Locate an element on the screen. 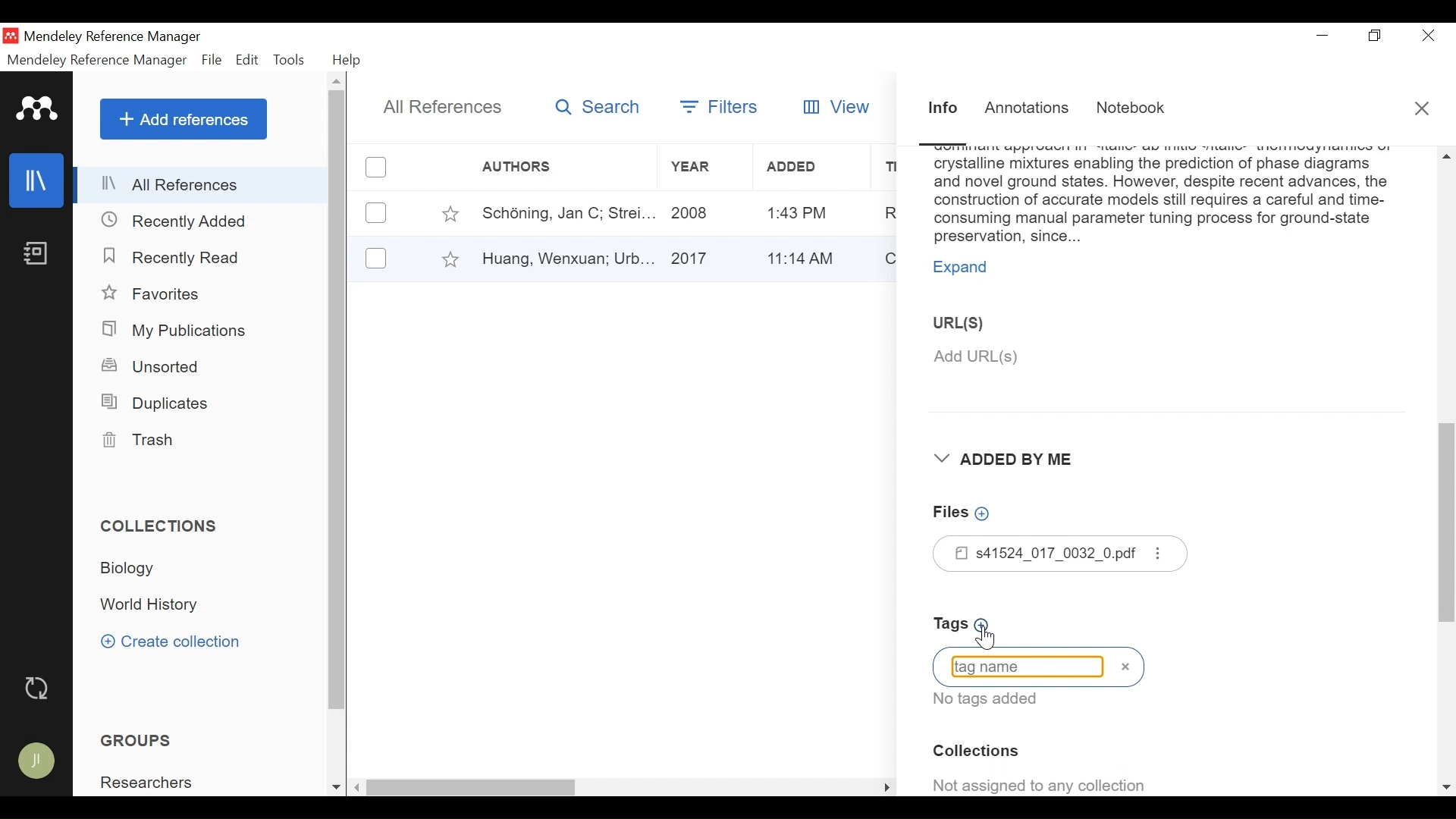  Mendeley Reference Manager is located at coordinates (97, 62).